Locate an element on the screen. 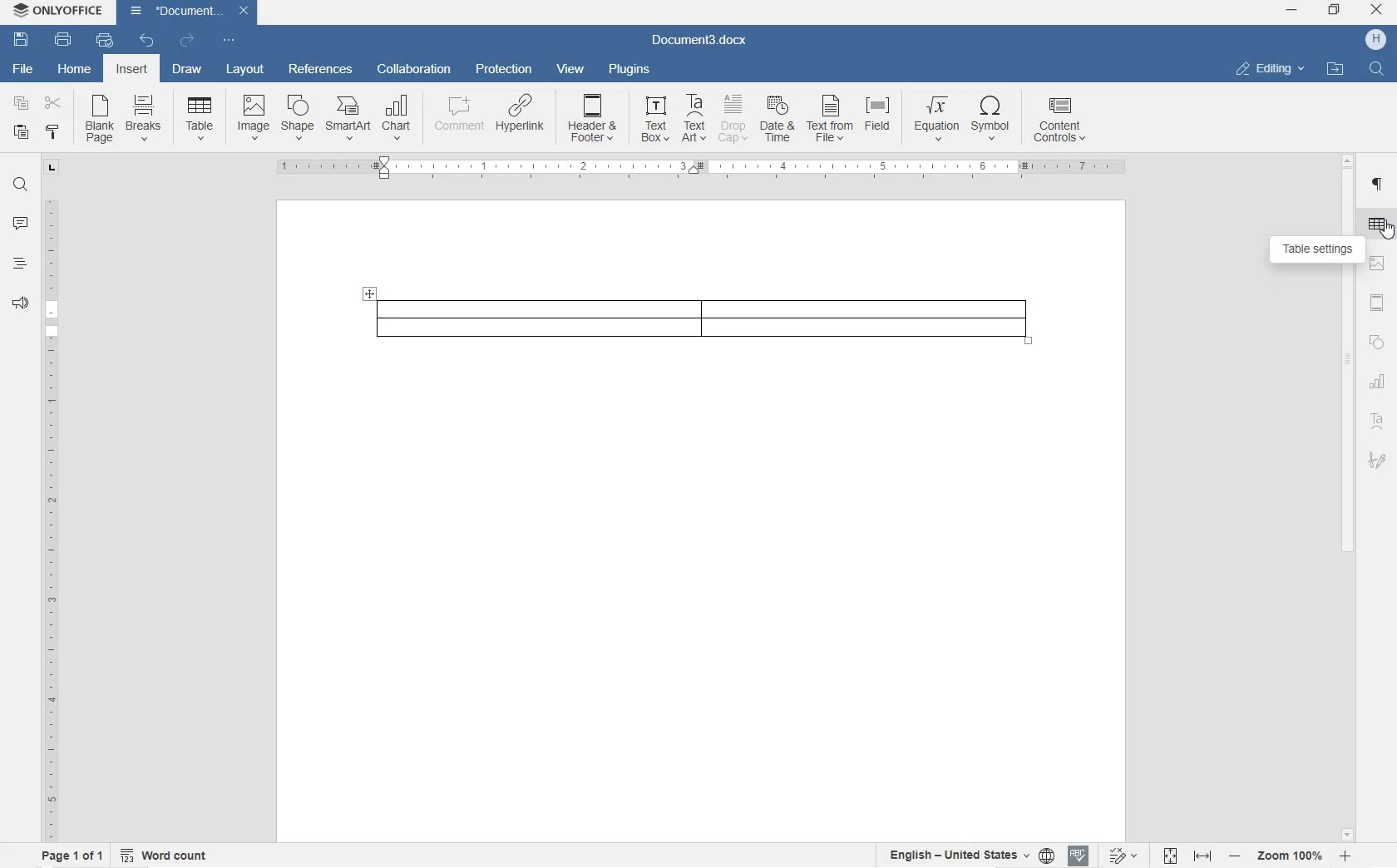  Hyperlink is located at coordinates (519, 119).